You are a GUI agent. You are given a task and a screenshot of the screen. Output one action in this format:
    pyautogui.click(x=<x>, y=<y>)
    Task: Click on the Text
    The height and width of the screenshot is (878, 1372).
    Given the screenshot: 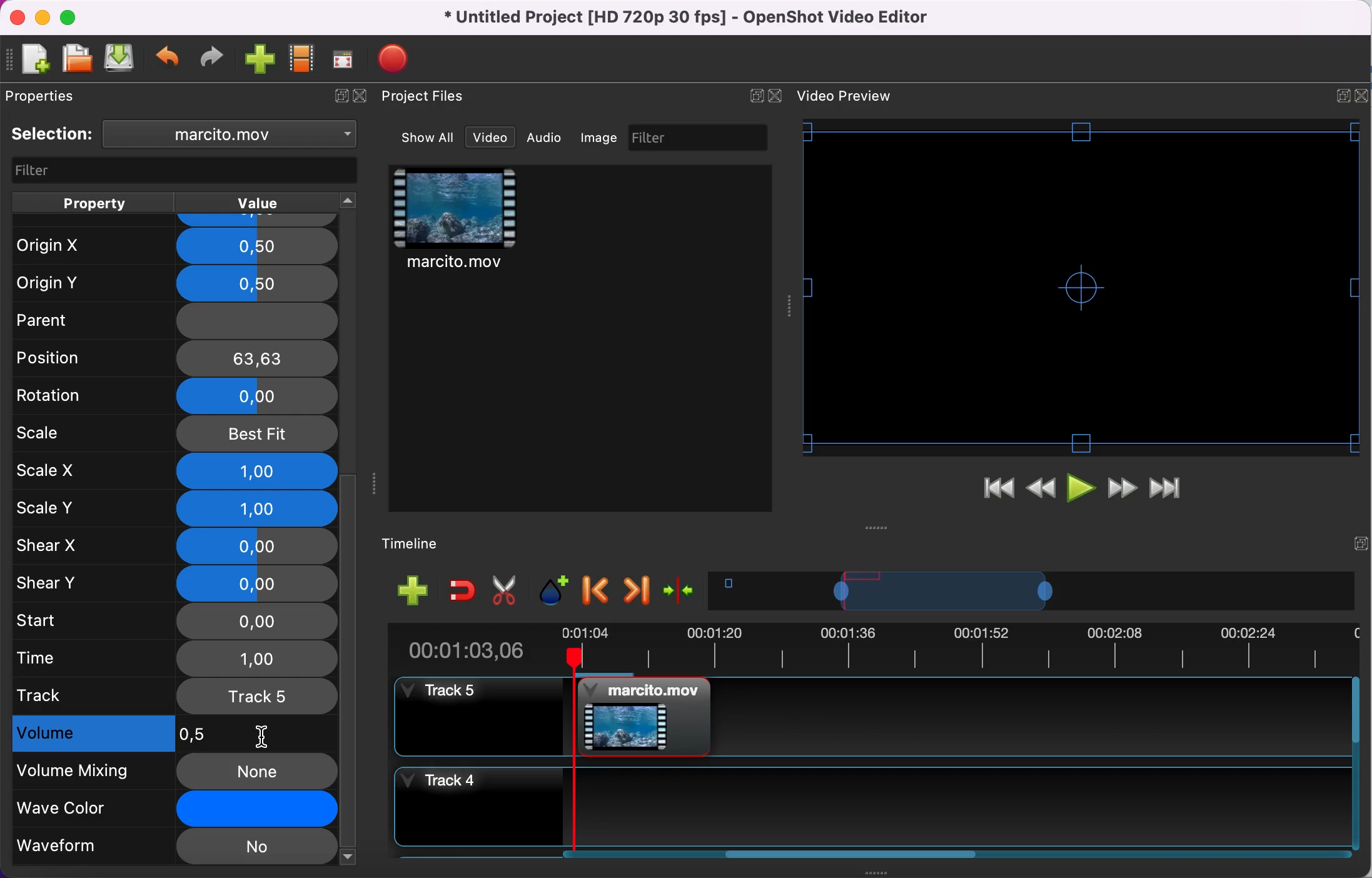 What is the action you would take?
    pyautogui.click(x=844, y=96)
    